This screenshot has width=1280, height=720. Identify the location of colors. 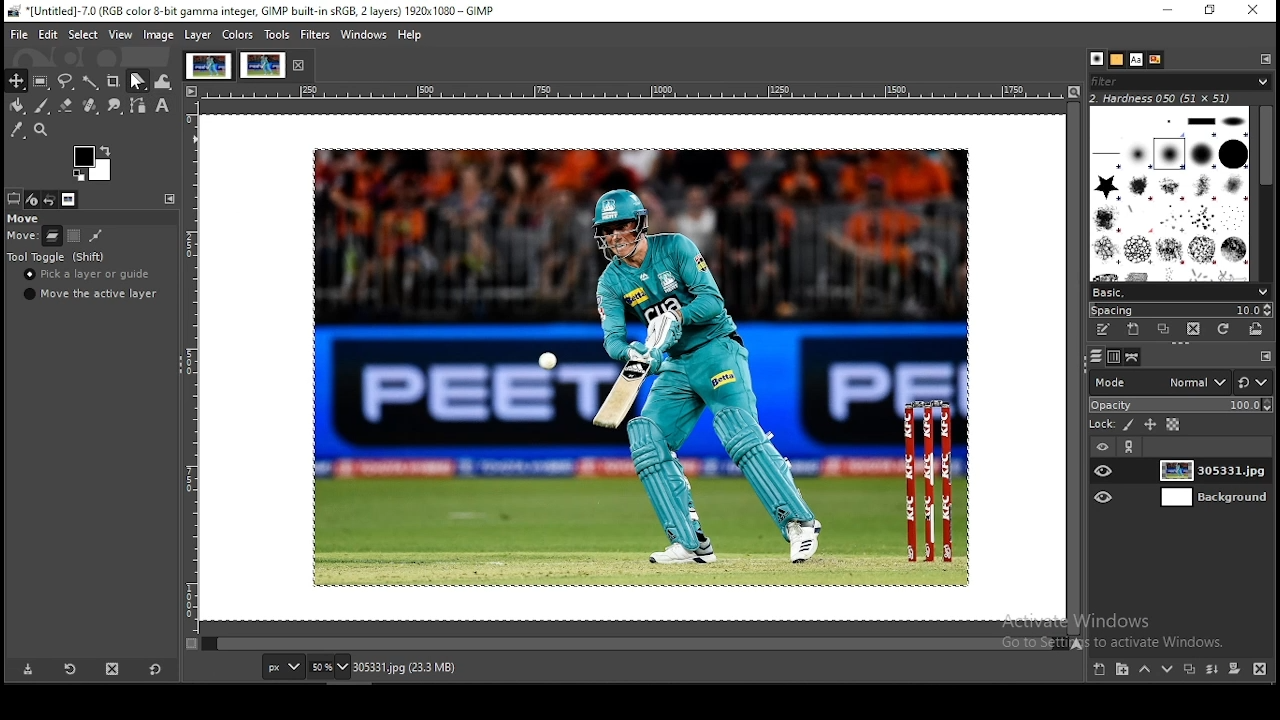
(238, 35).